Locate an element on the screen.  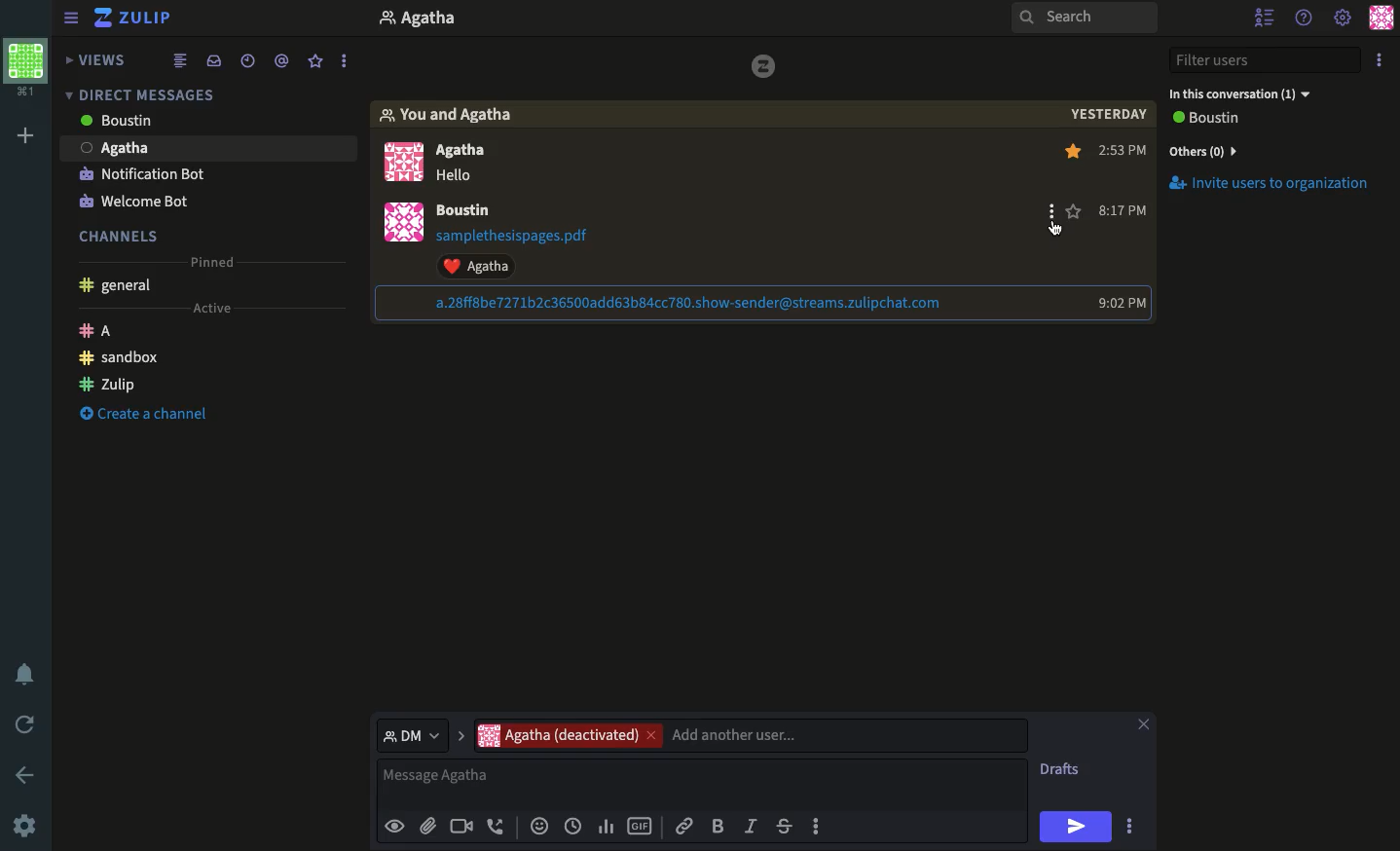
Strikethrough is located at coordinates (784, 826).